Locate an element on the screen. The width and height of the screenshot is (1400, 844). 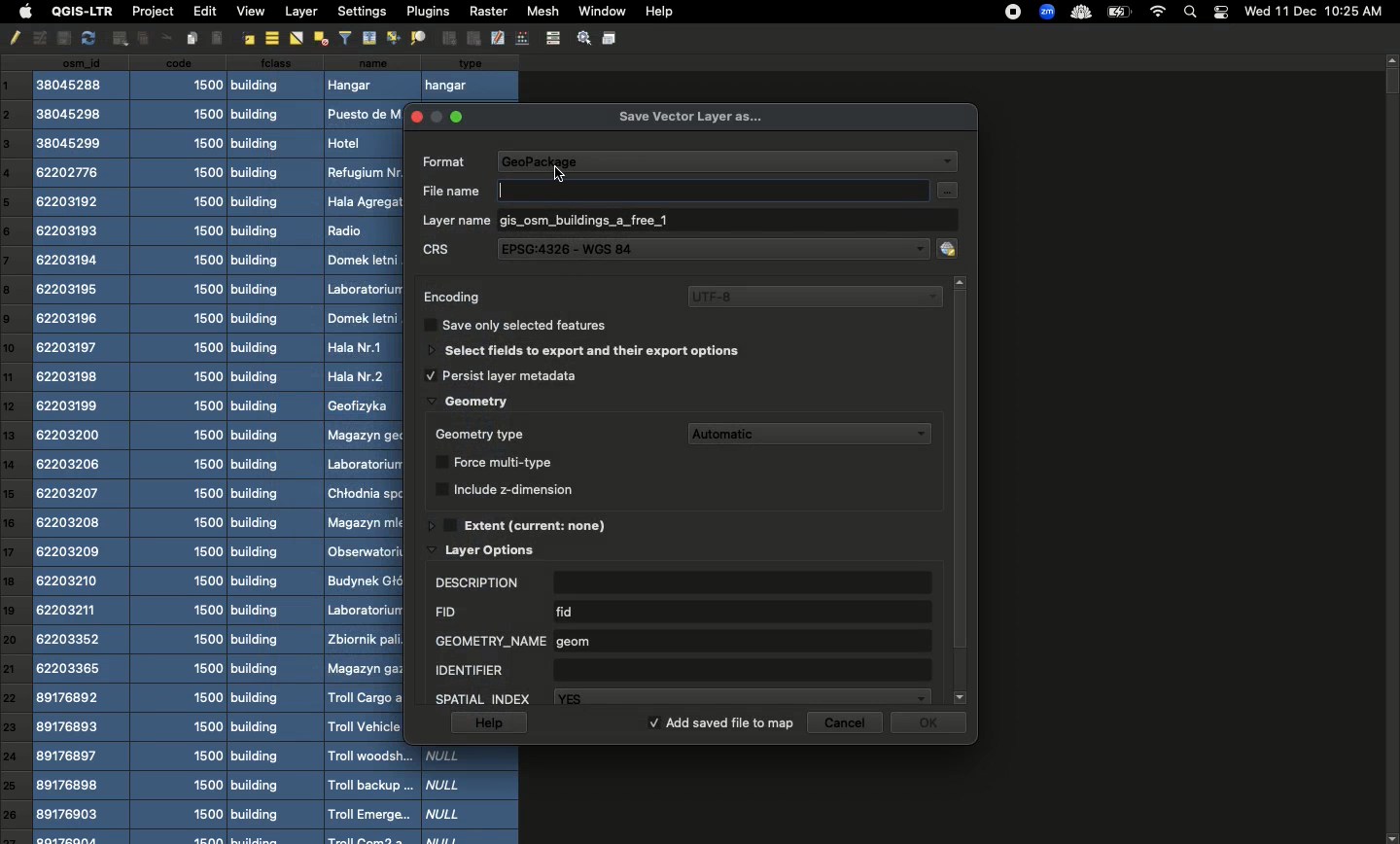
maximise is located at coordinates (463, 120).